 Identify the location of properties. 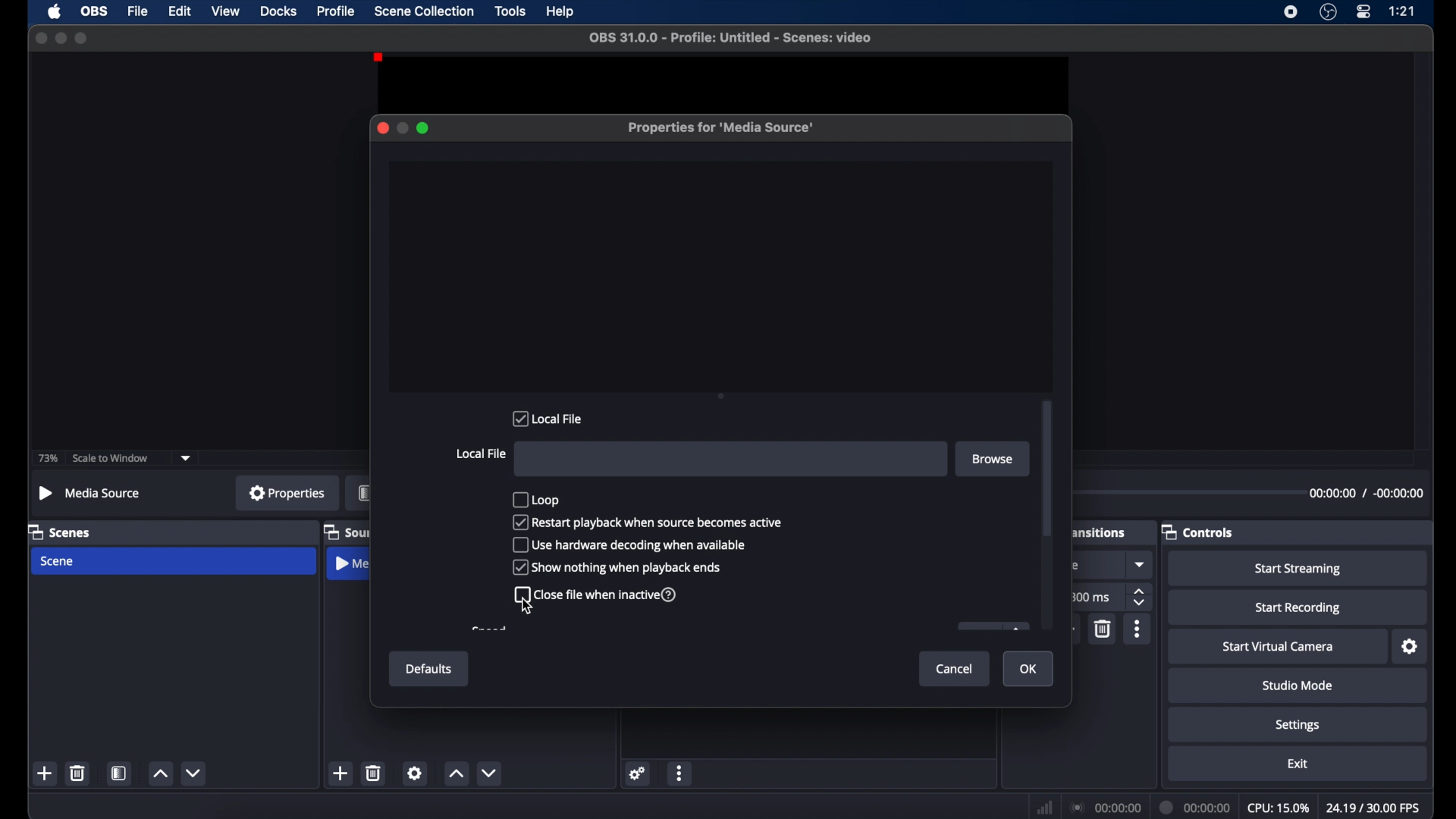
(287, 493).